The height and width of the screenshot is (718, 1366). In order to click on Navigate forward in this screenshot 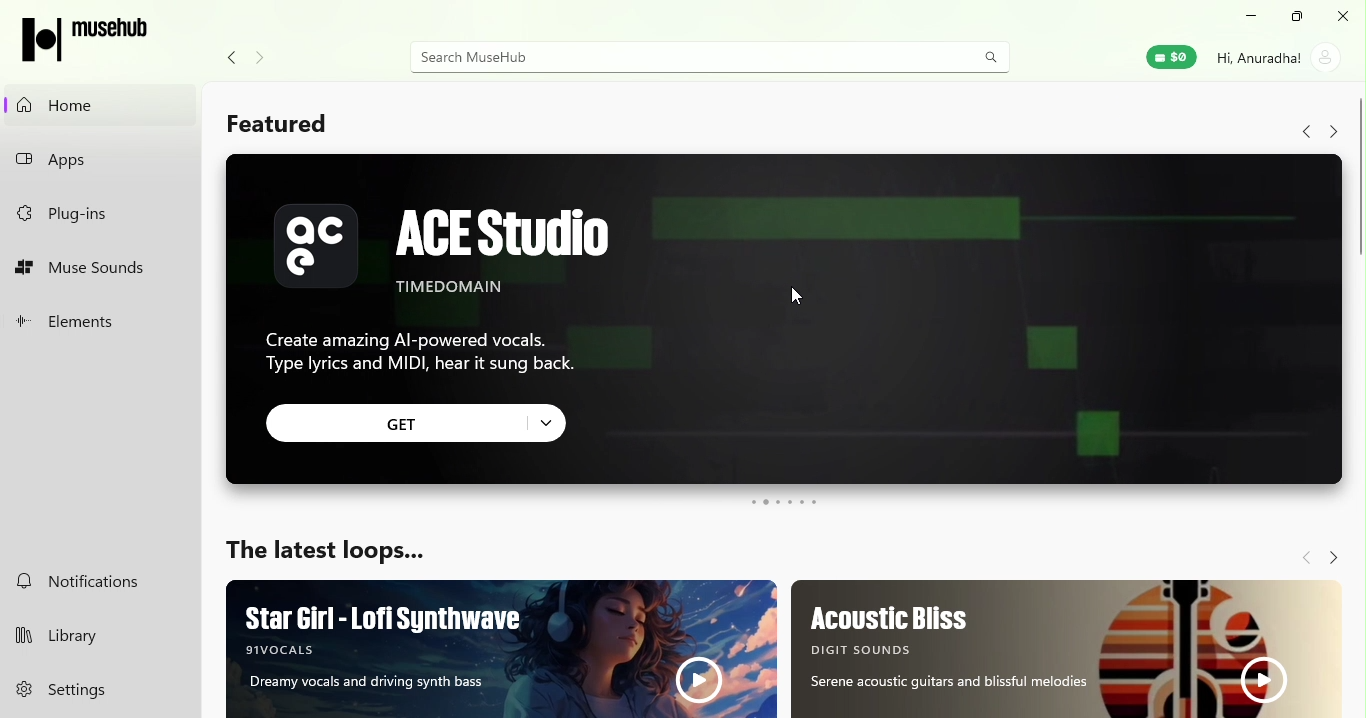, I will do `click(258, 53)`.